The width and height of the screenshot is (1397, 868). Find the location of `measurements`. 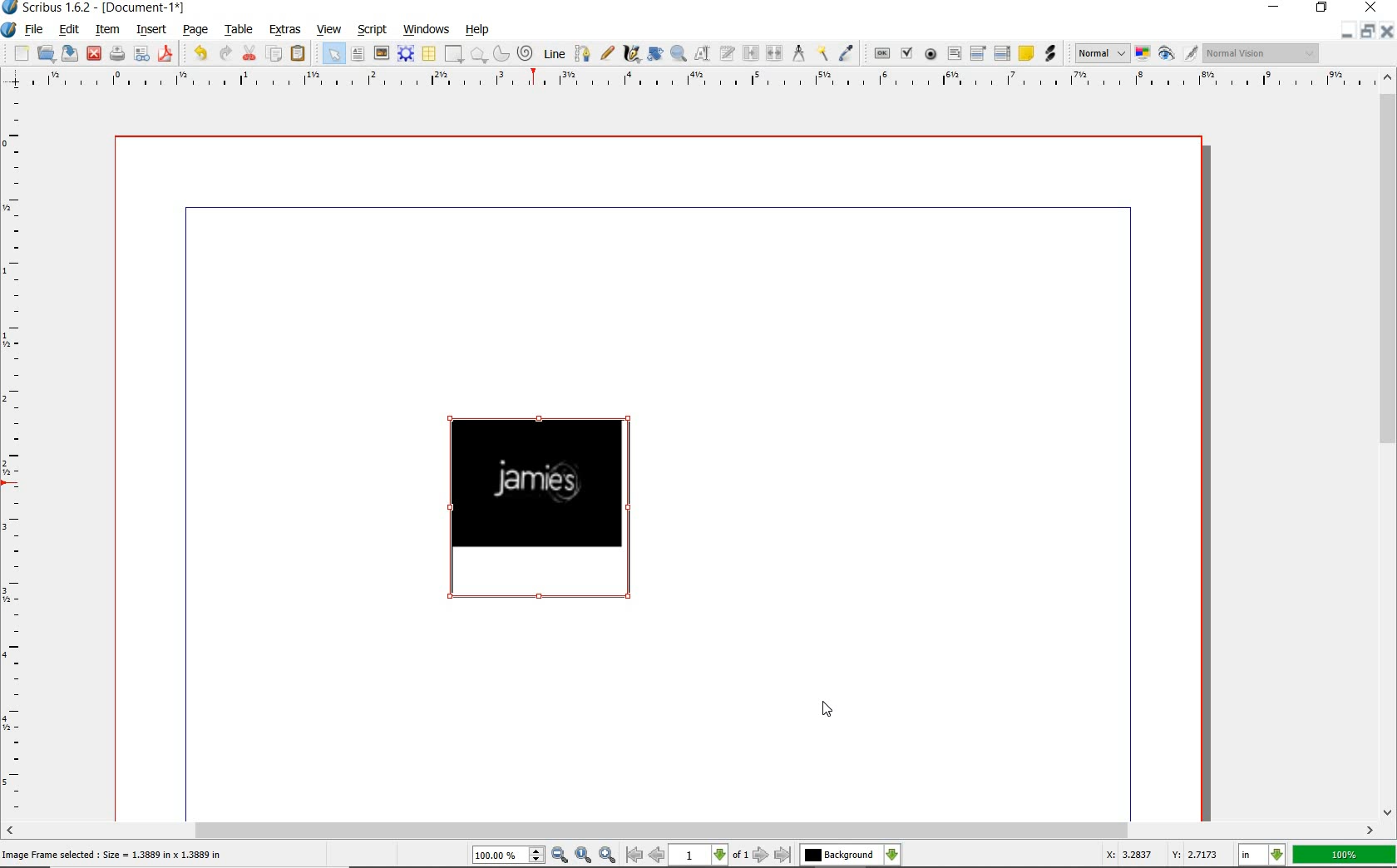

measurements is located at coordinates (799, 52).